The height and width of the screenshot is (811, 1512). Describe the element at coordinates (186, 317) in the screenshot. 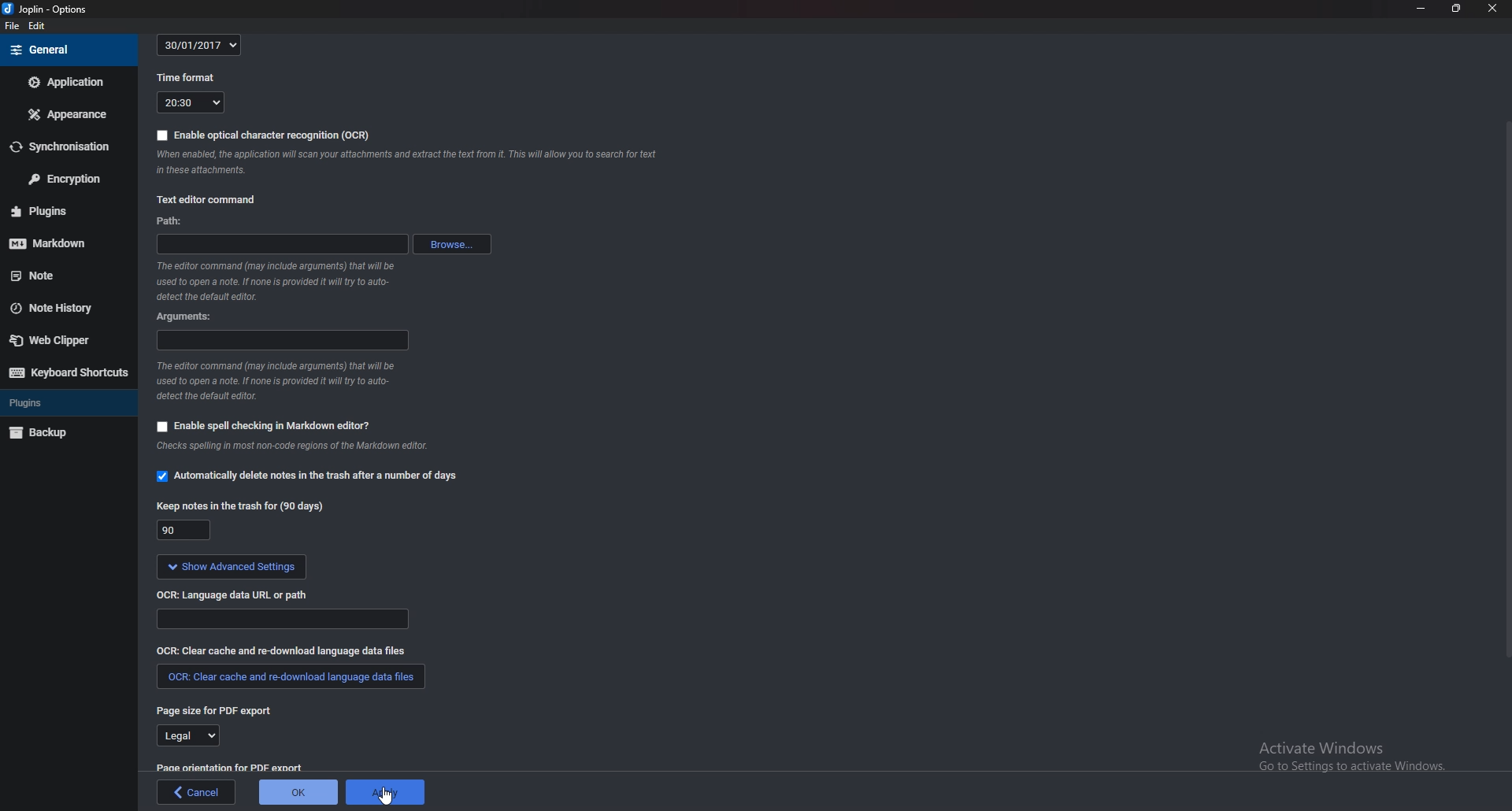

I see `Arguments` at that location.